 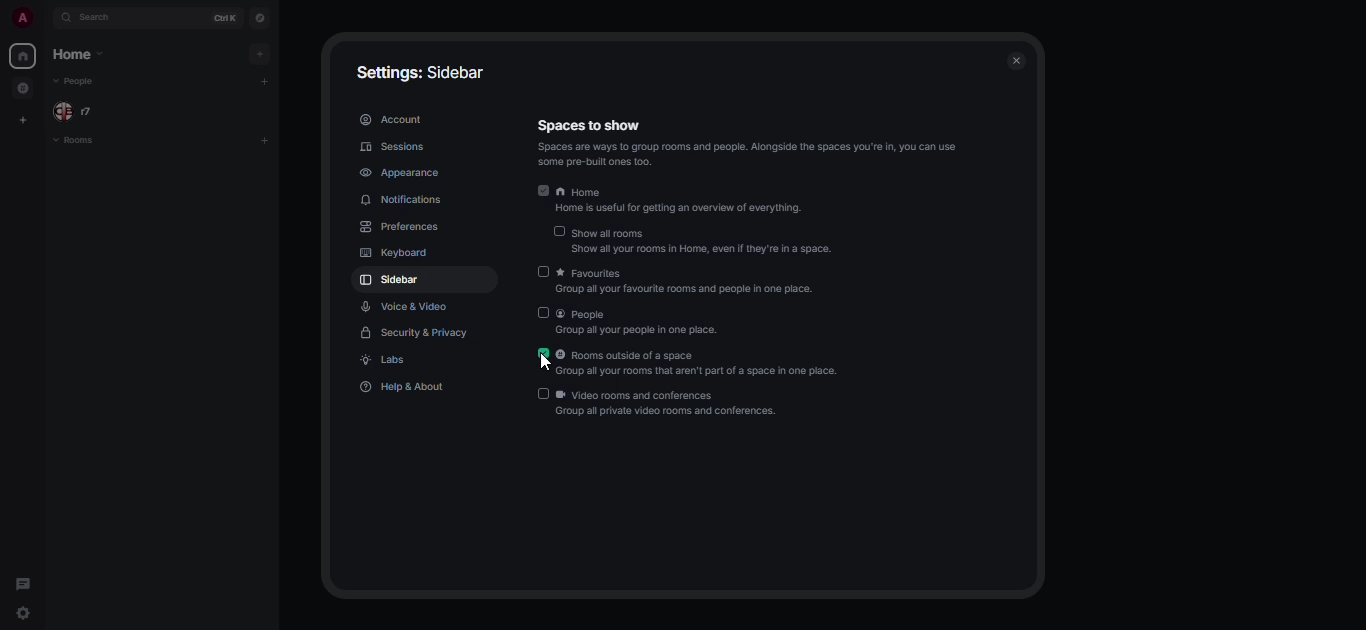 What do you see at coordinates (703, 372) in the screenshot?
I see `Group all your rooms that aren't part of a space in one place.` at bounding box center [703, 372].